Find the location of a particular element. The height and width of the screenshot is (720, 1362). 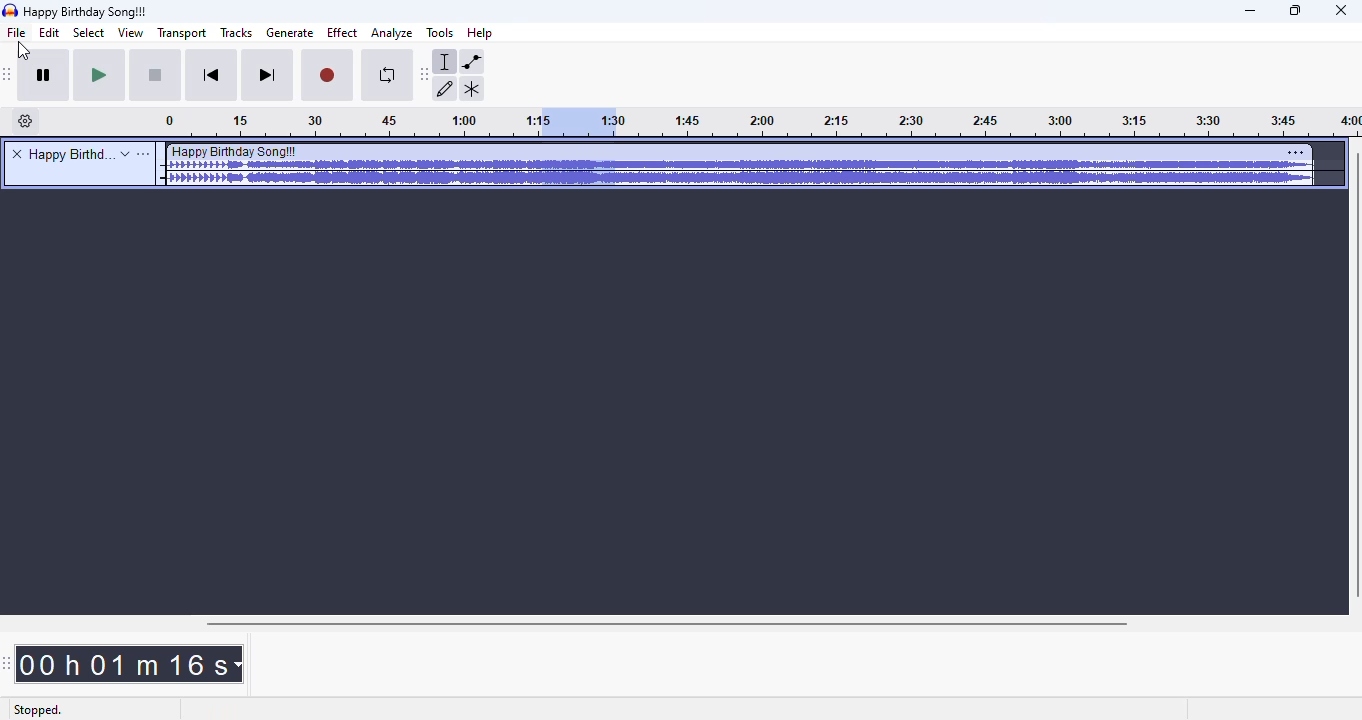

audio track is located at coordinates (738, 165).